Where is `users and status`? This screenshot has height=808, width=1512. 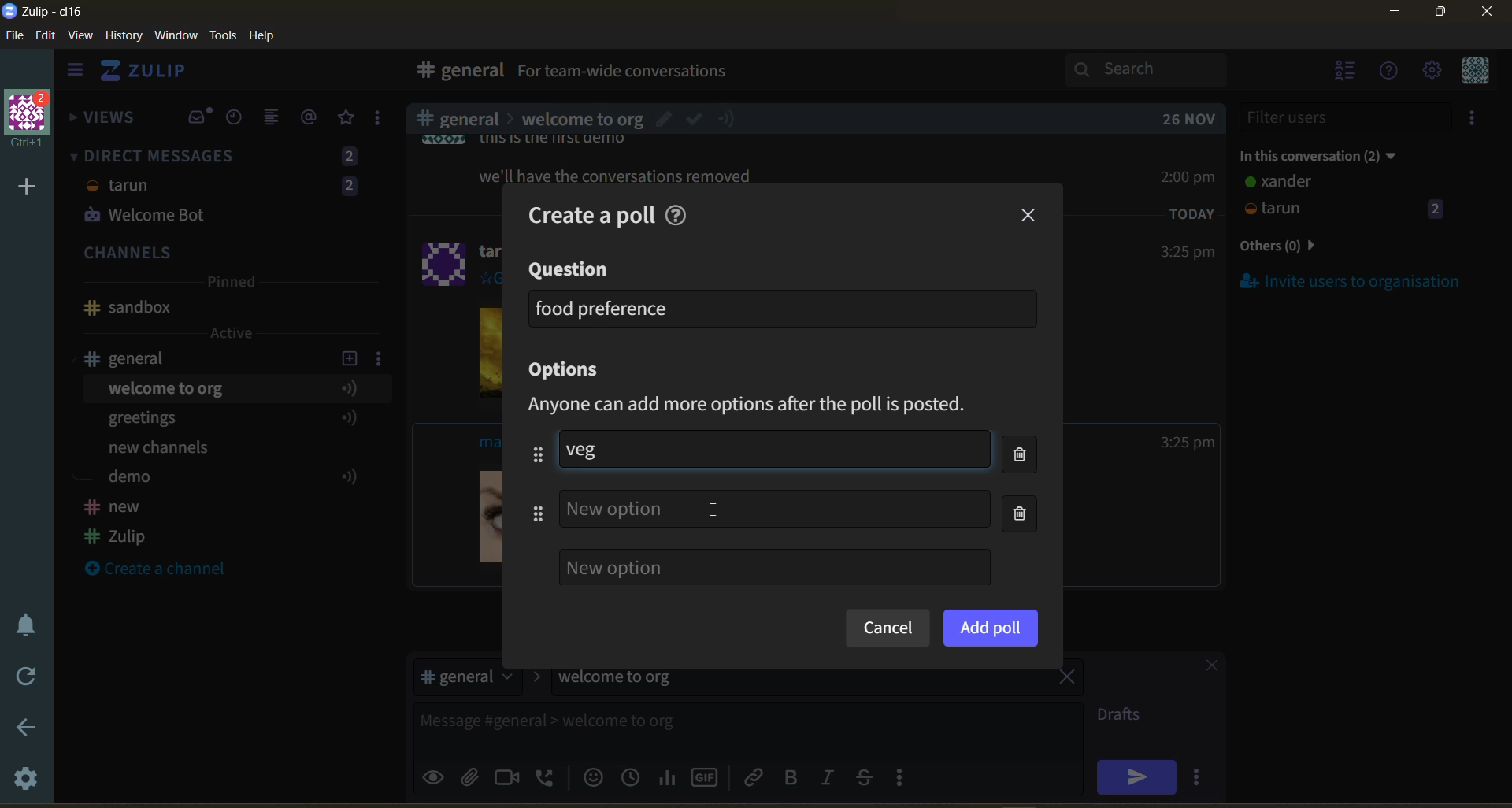 users and status is located at coordinates (1346, 198).